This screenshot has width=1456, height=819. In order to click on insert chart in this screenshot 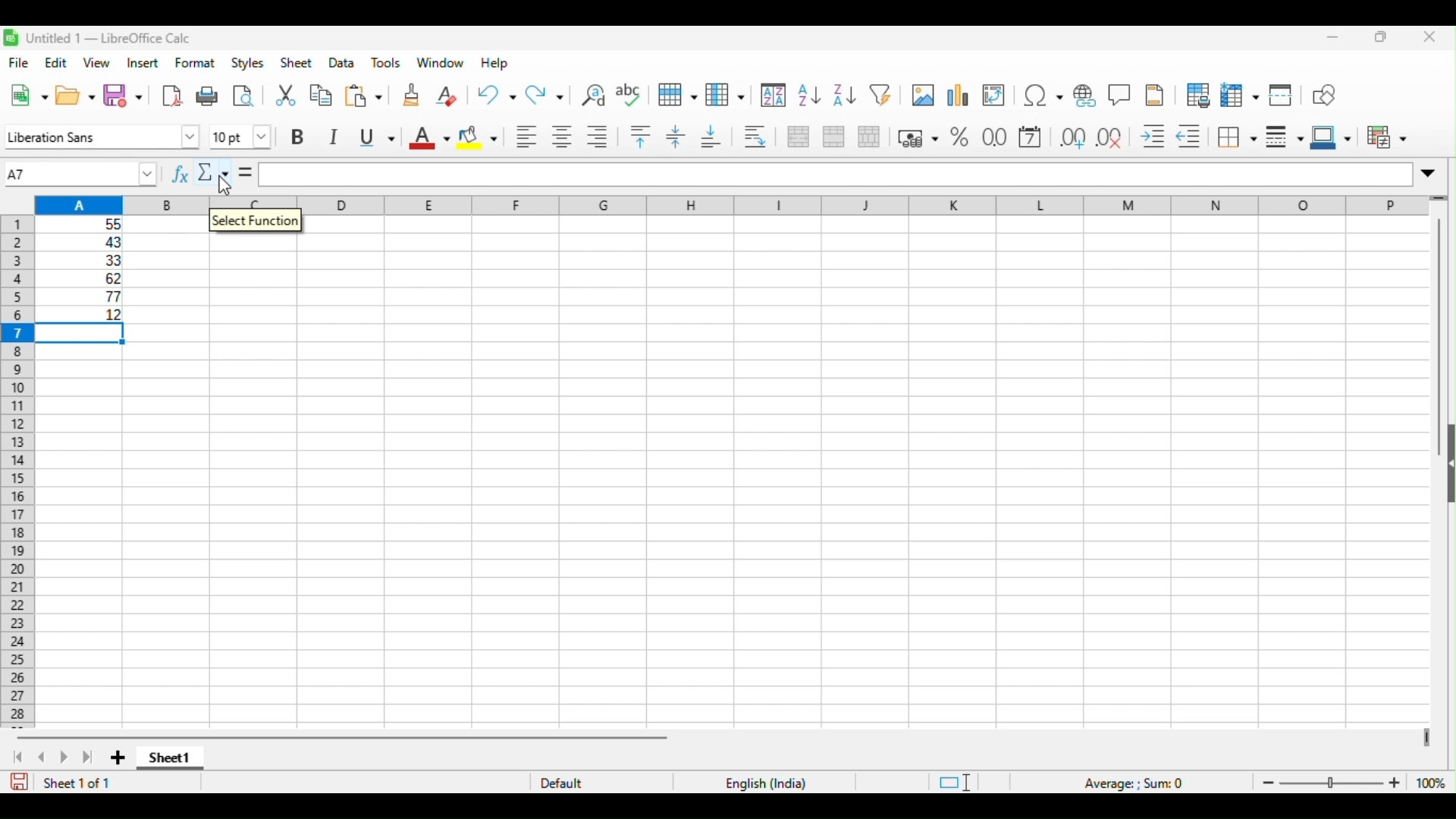, I will do `click(960, 93)`.